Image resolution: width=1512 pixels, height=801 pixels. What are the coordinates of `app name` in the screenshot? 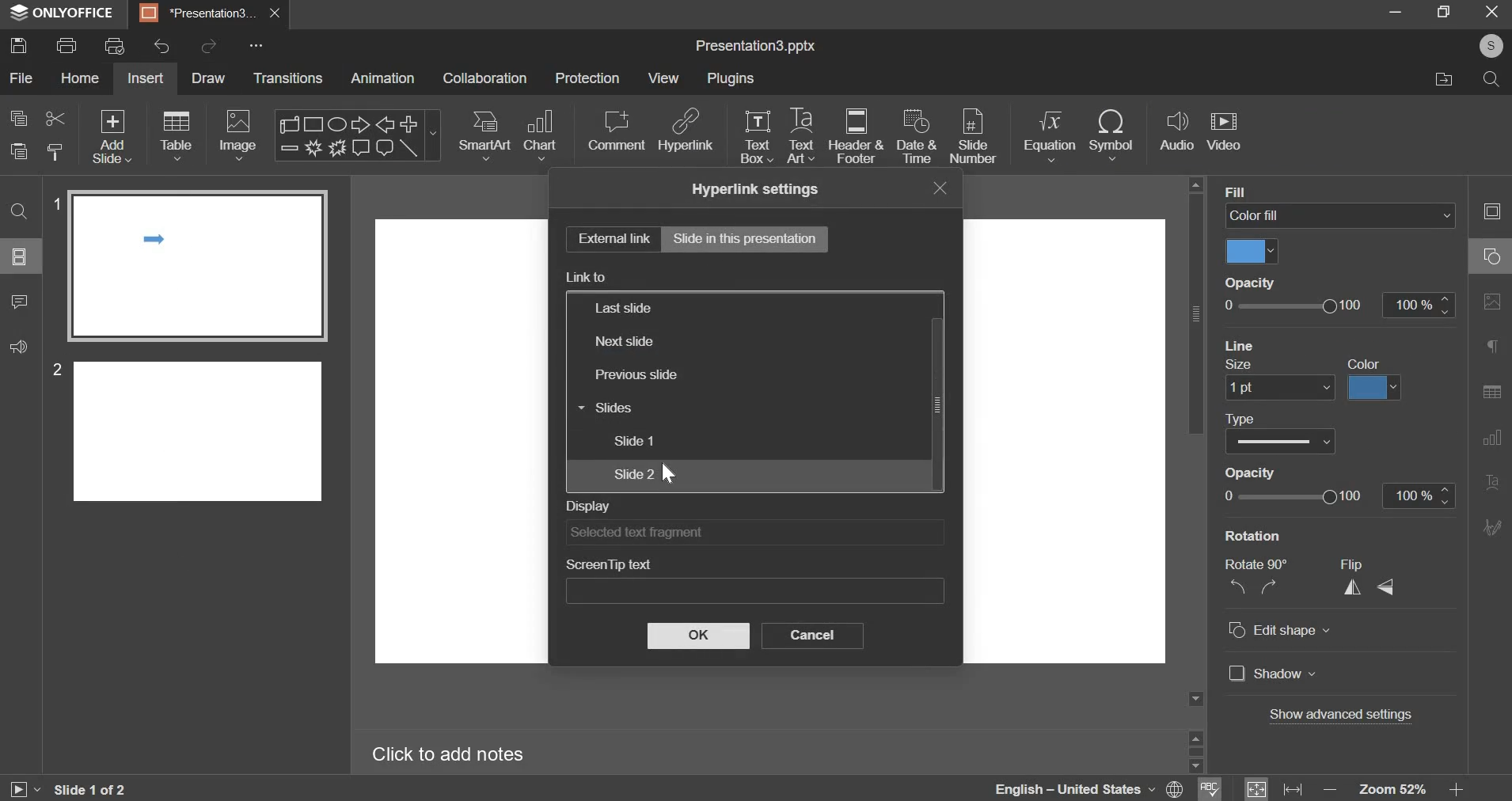 It's located at (63, 16).